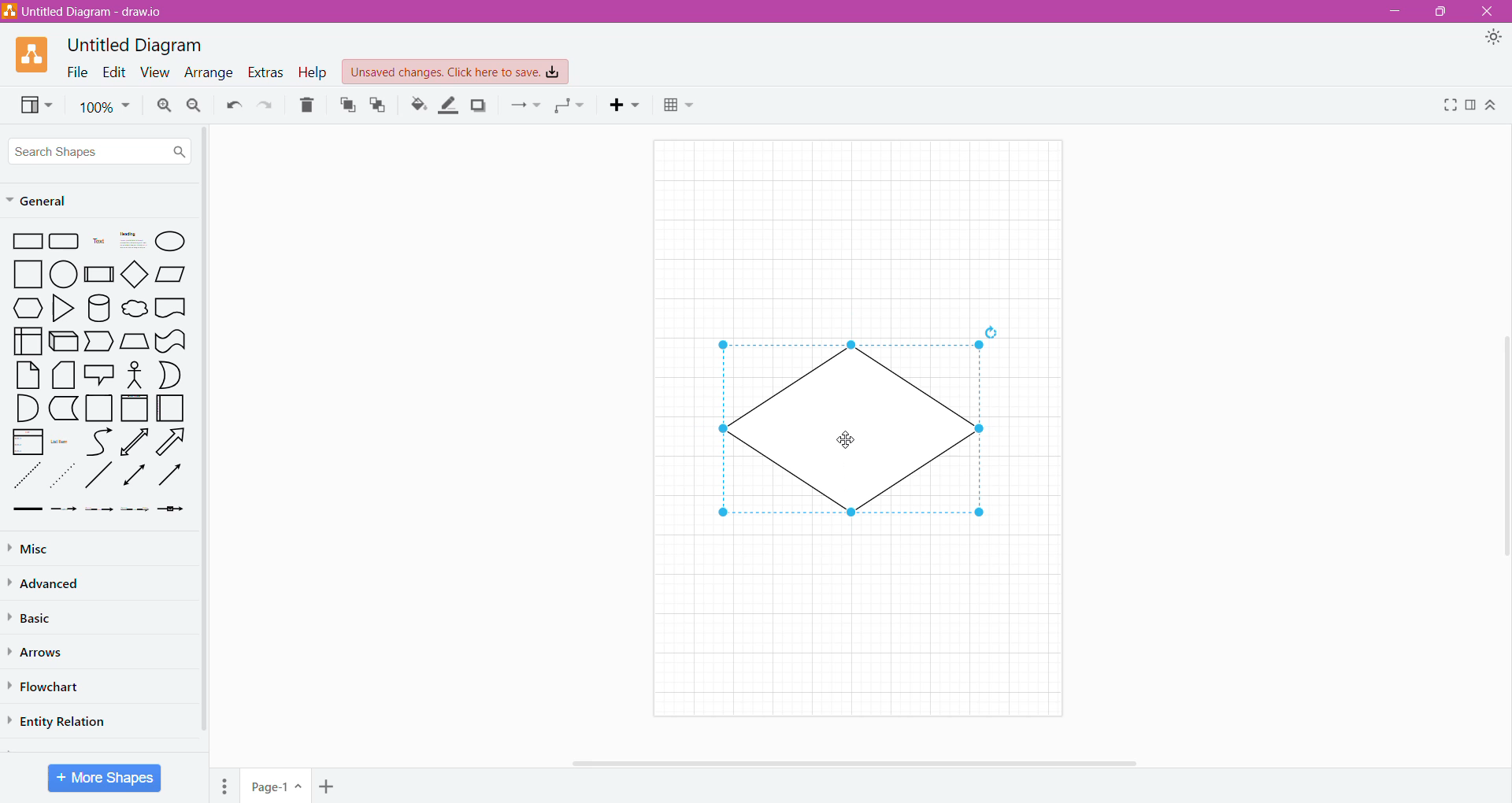 This screenshot has width=1512, height=803. I want to click on Line Color, so click(449, 105).